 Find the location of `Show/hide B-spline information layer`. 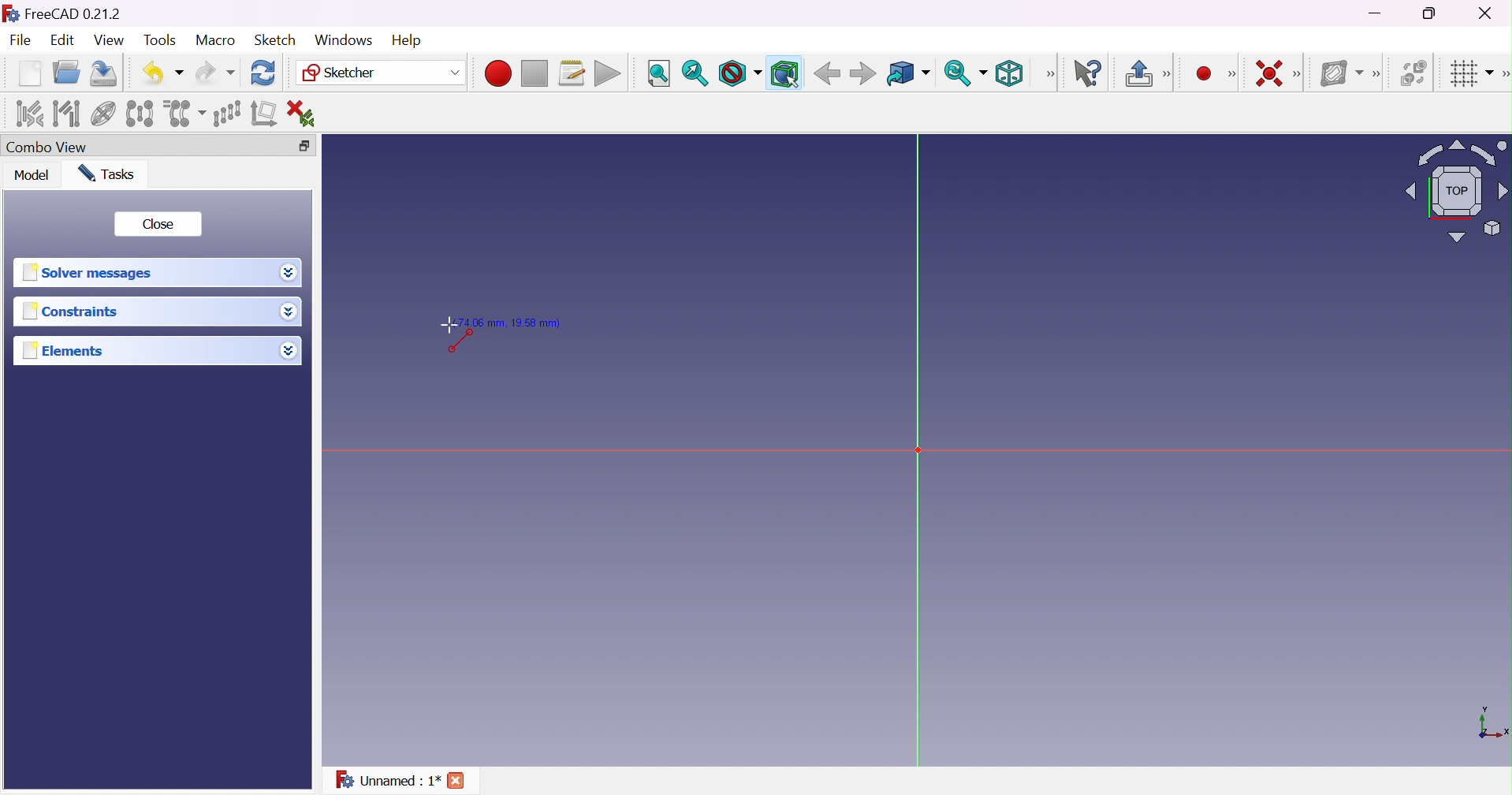

Show/hide B-spline information layer is located at coordinates (1343, 73).